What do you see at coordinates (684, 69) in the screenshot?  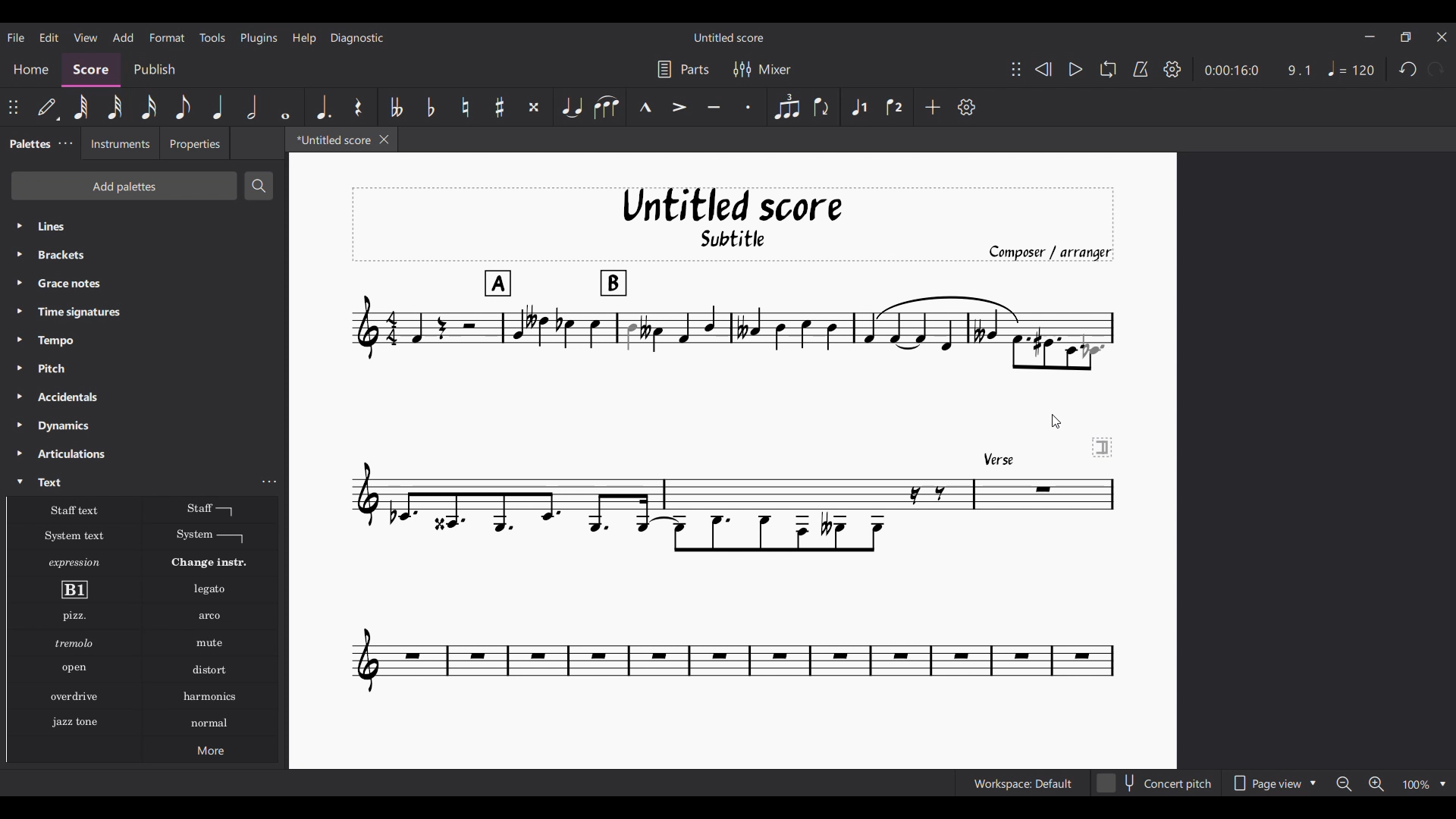 I see `Parts settings` at bounding box center [684, 69].